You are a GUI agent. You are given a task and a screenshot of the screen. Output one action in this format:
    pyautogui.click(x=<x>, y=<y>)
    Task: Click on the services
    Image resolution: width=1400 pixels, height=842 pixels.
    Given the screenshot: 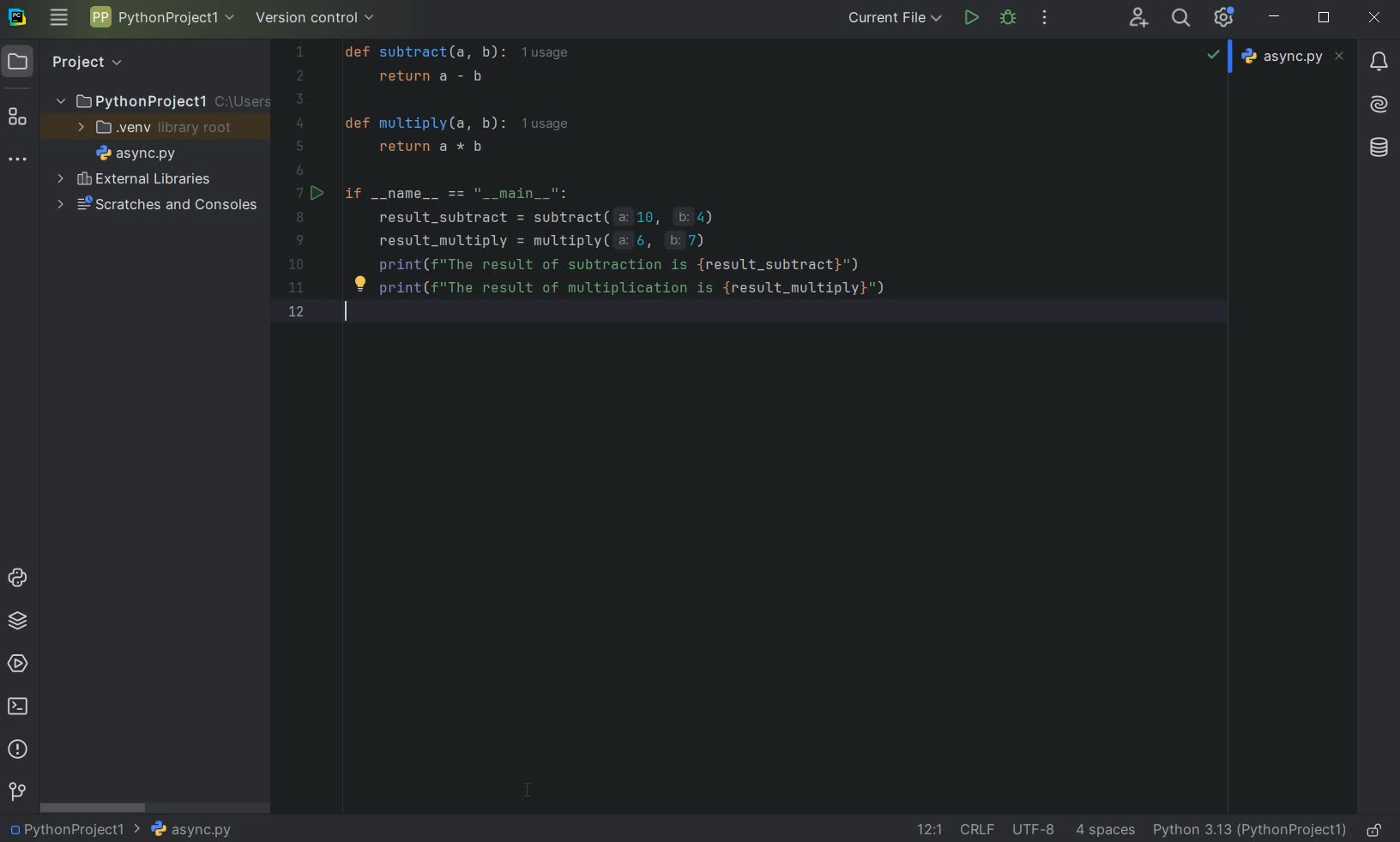 What is the action you would take?
    pyautogui.click(x=20, y=663)
    